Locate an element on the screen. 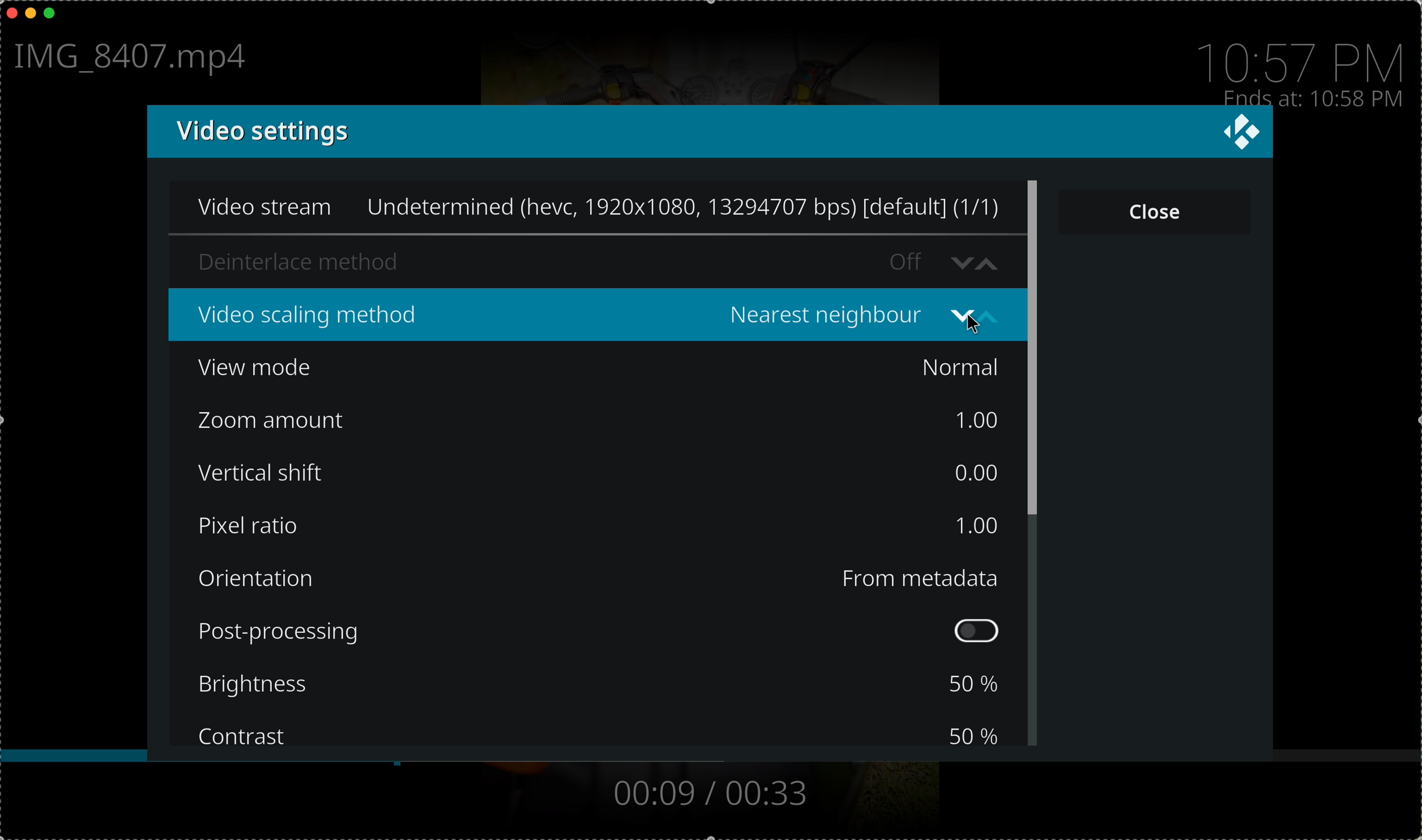 The width and height of the screenshot is (1422, 840). view mode  Normal is located at coordinates (603, 368).